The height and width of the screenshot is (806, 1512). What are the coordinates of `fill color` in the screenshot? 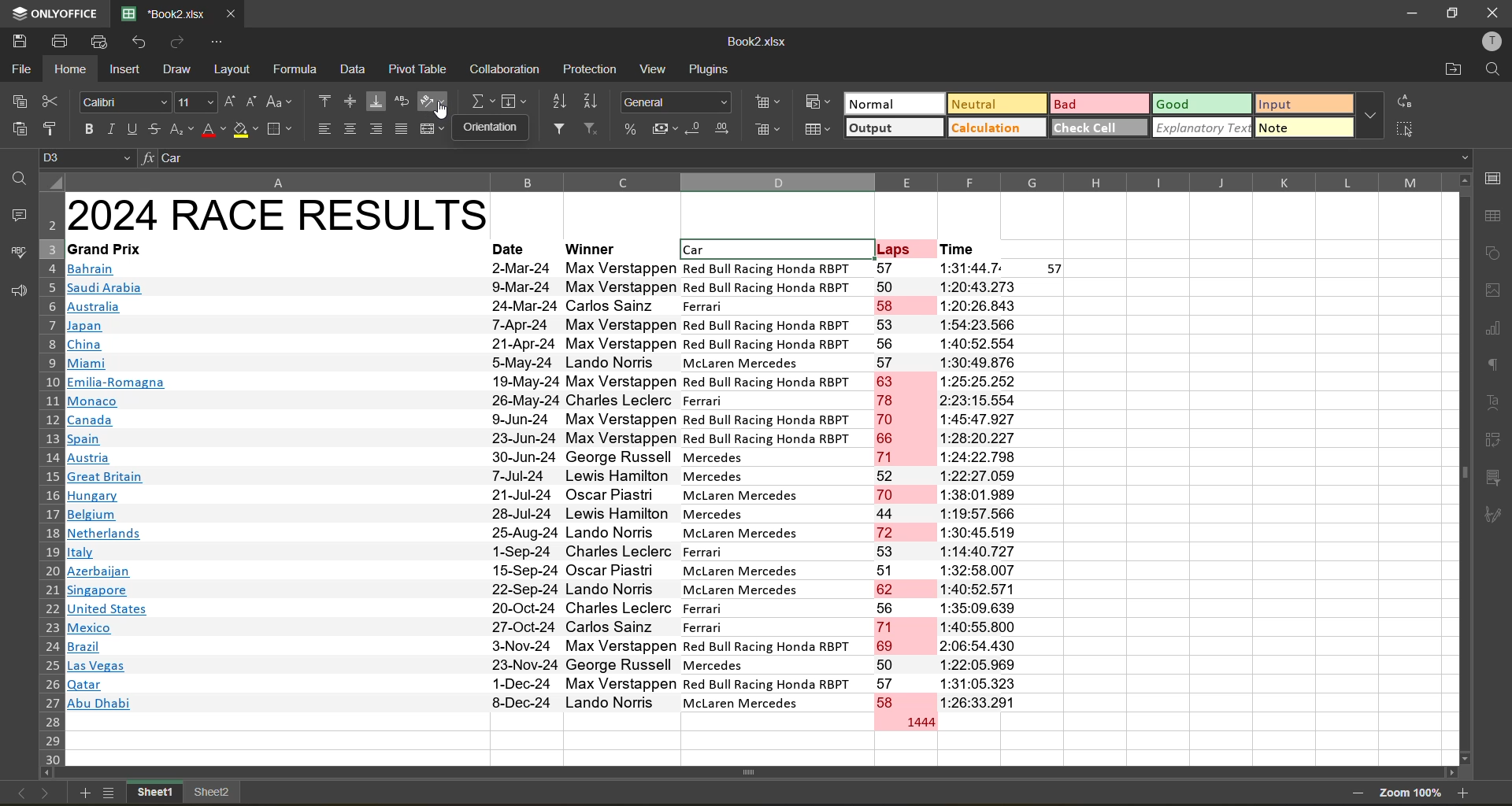 It's located at (246, 129).